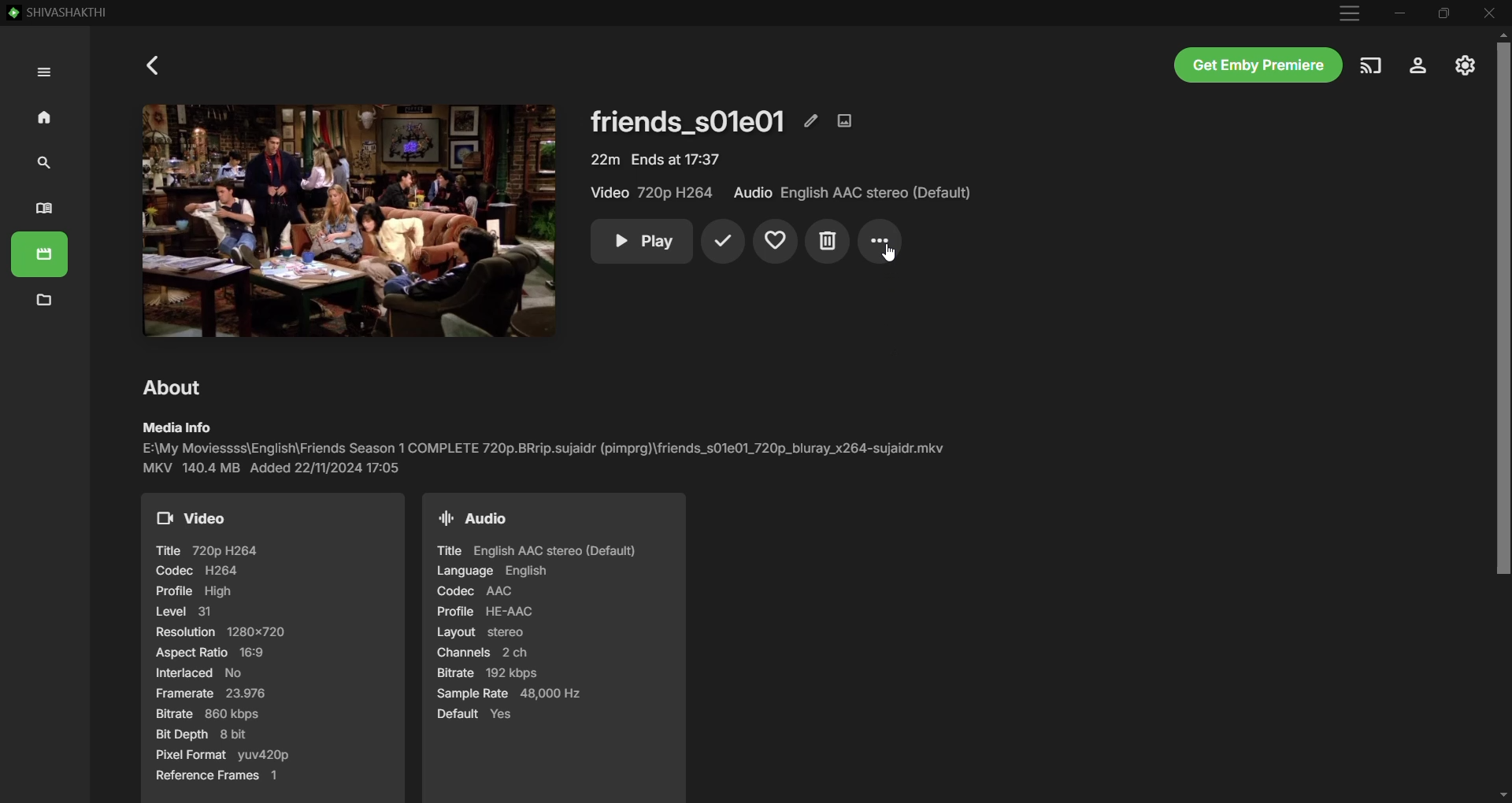  Describe the element at coordinates (1418, 66) in the screenshot. I see `Settings` at that location.